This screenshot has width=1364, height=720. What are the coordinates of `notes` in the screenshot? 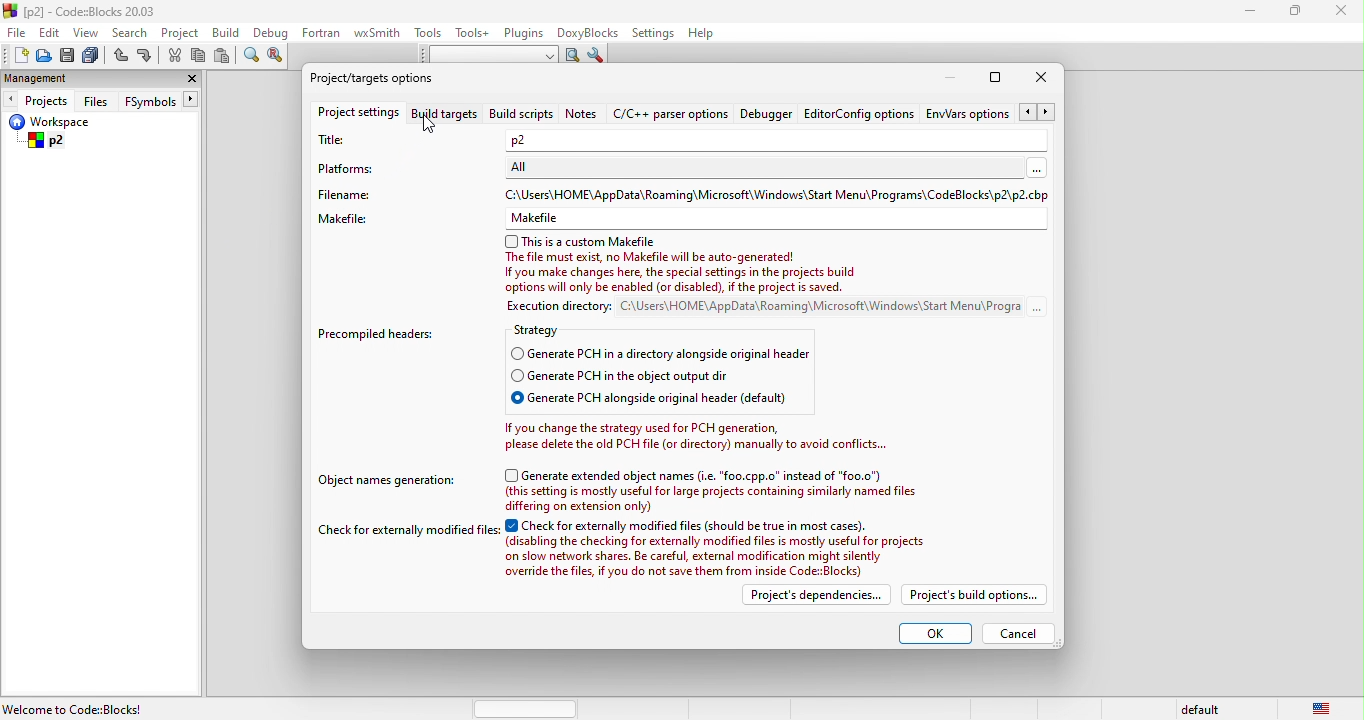 It's located at (582, 113).